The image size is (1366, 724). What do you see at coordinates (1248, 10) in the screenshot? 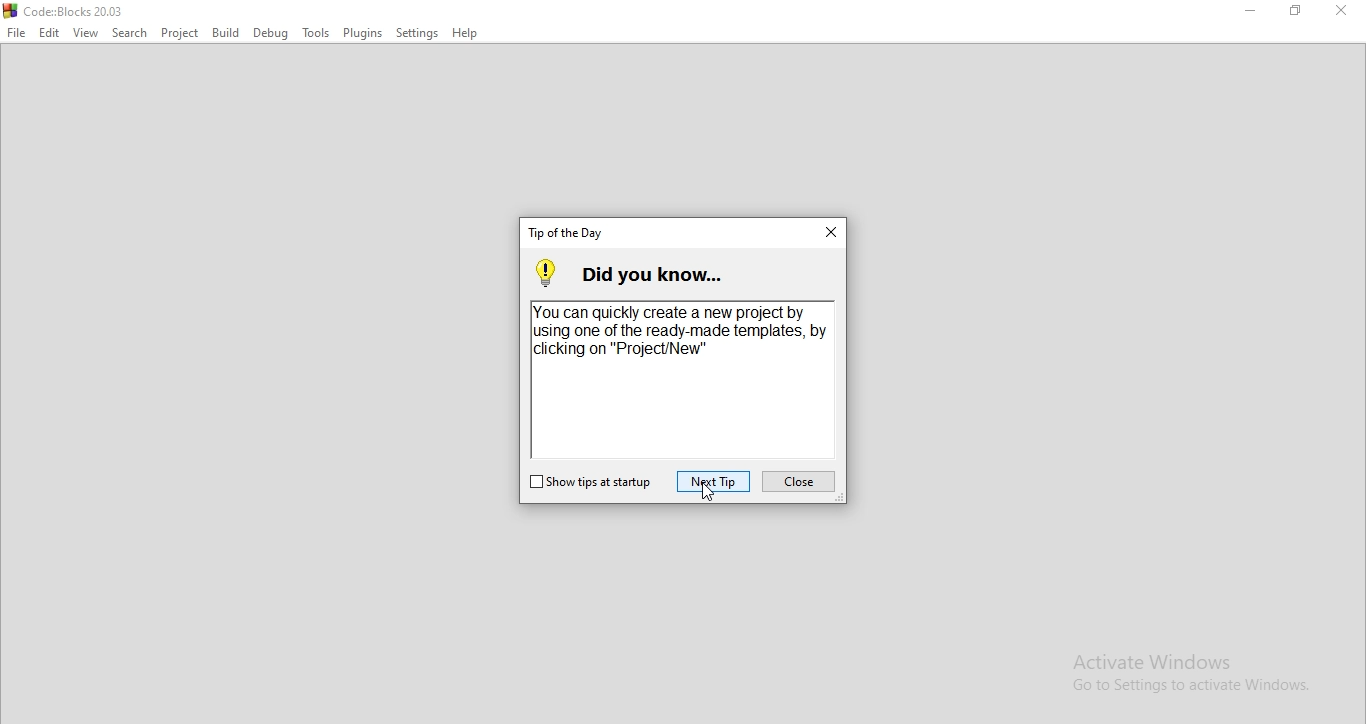
I see `Minimise` at bounding box center [1248, 10].